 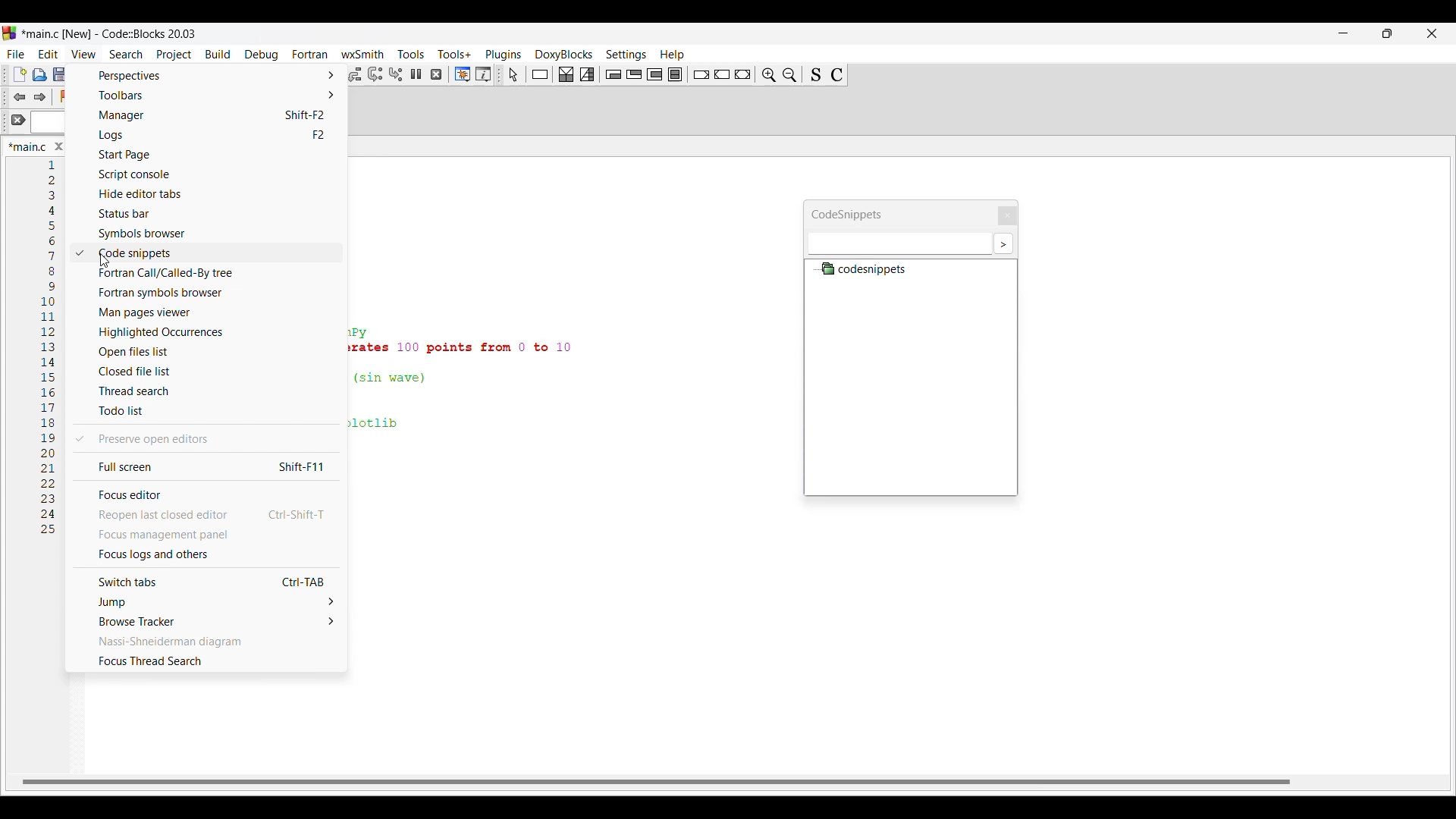 What do you see at coordinates (213, 332) in the screenshot?
I see `Highlighted occurrences` at bounding box center [213, 332].